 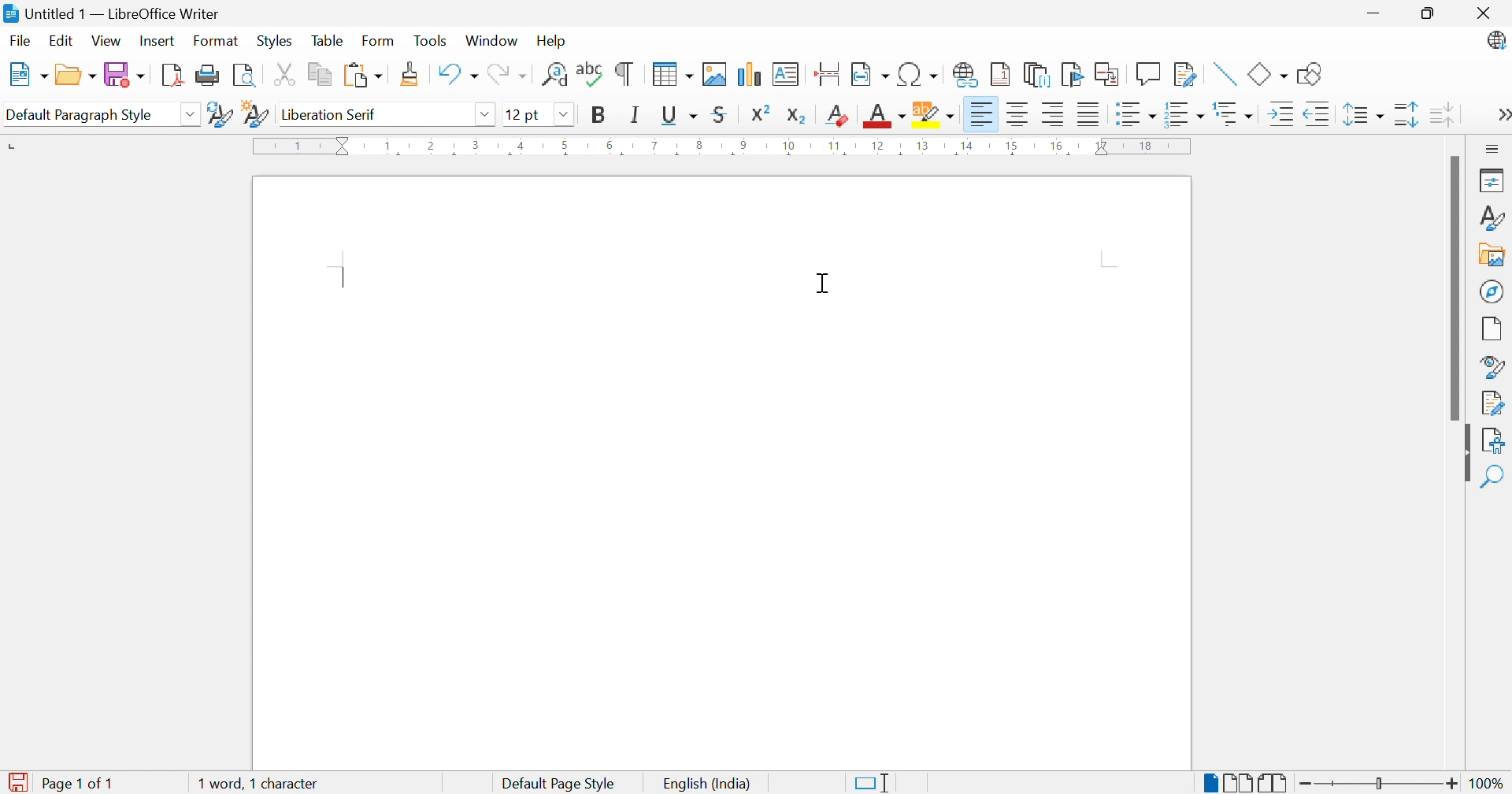 I want to click on New, so click(x=26, y=74).